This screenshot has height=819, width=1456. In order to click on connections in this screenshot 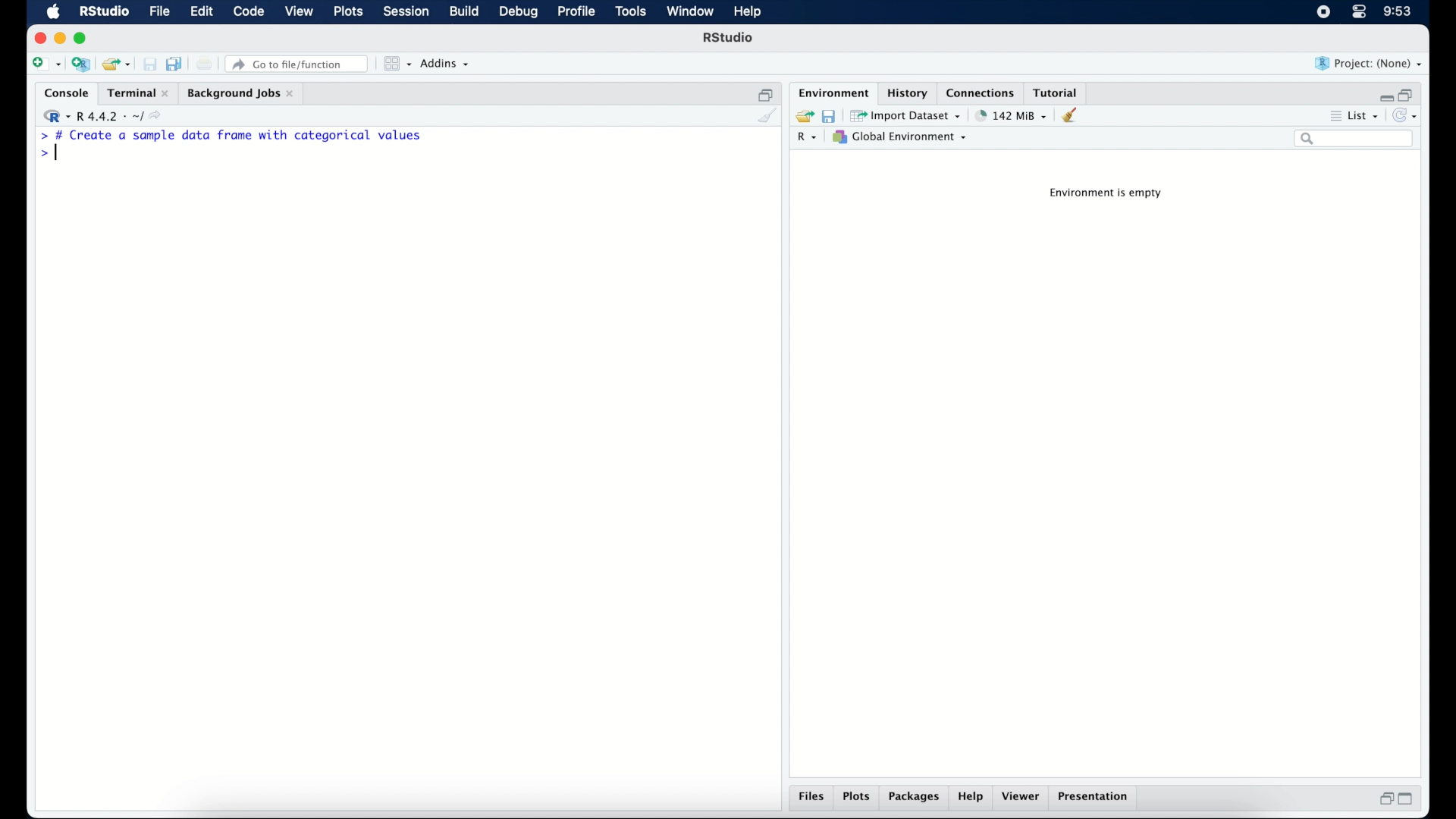, I will do `click(982, 92)`.